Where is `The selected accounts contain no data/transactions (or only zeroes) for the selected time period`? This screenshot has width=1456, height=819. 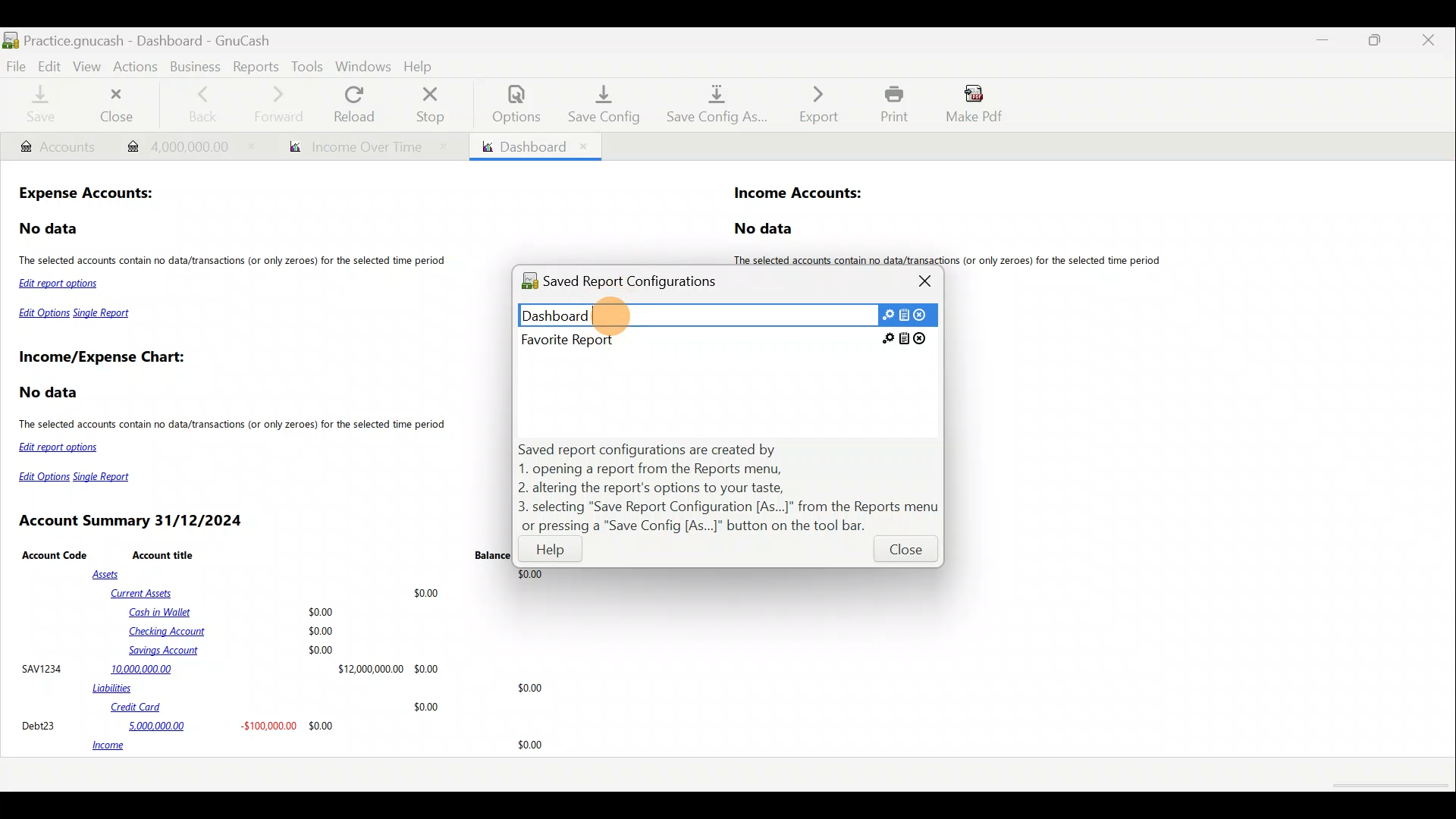 The selected accounts contain no data/transactions (or only zeroes) for the selected time period is located at coordinates (954, 260).